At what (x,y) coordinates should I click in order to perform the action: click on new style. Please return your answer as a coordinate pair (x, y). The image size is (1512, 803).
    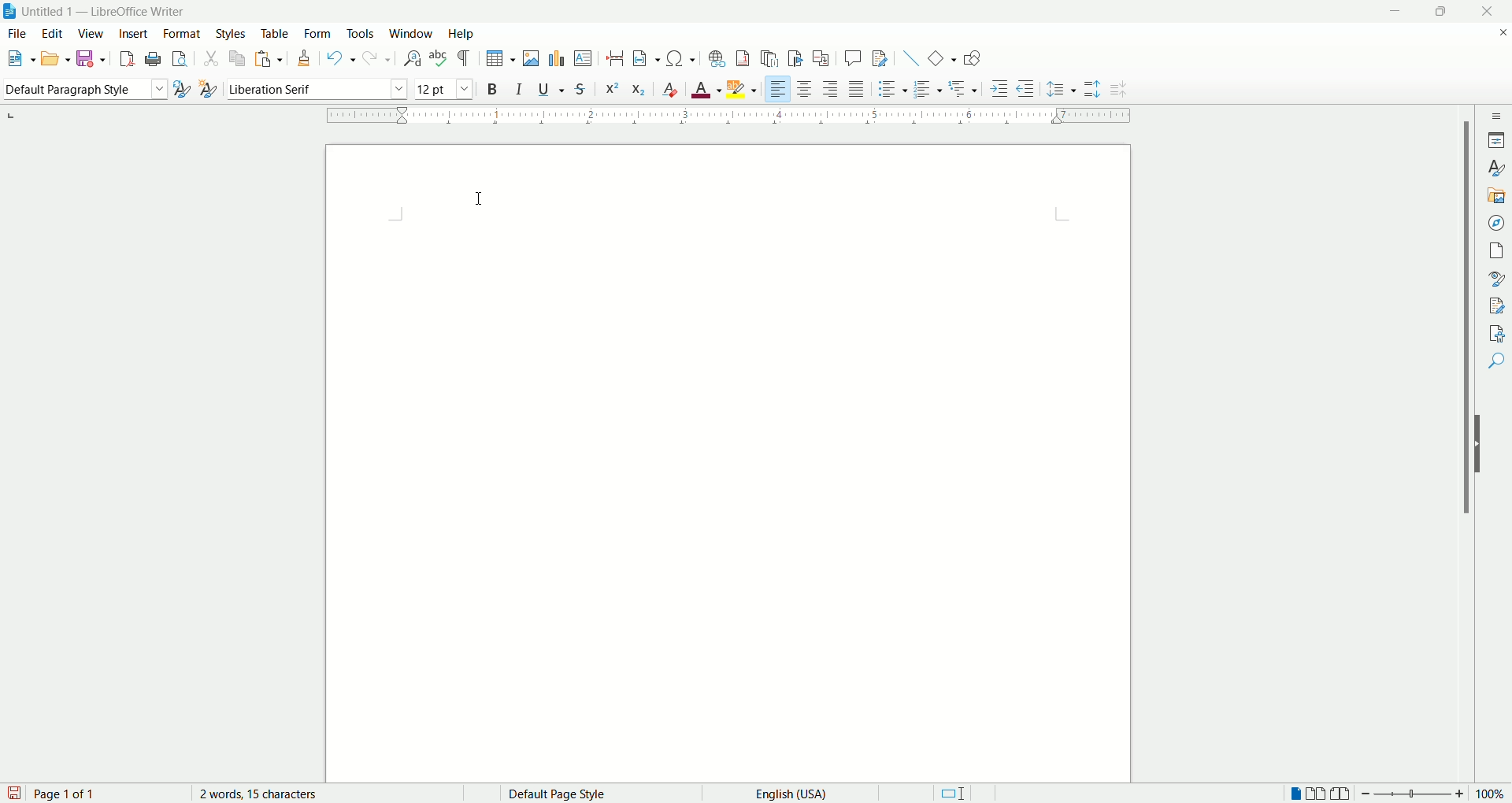
    Looking at the image, I should click on (209, 91).